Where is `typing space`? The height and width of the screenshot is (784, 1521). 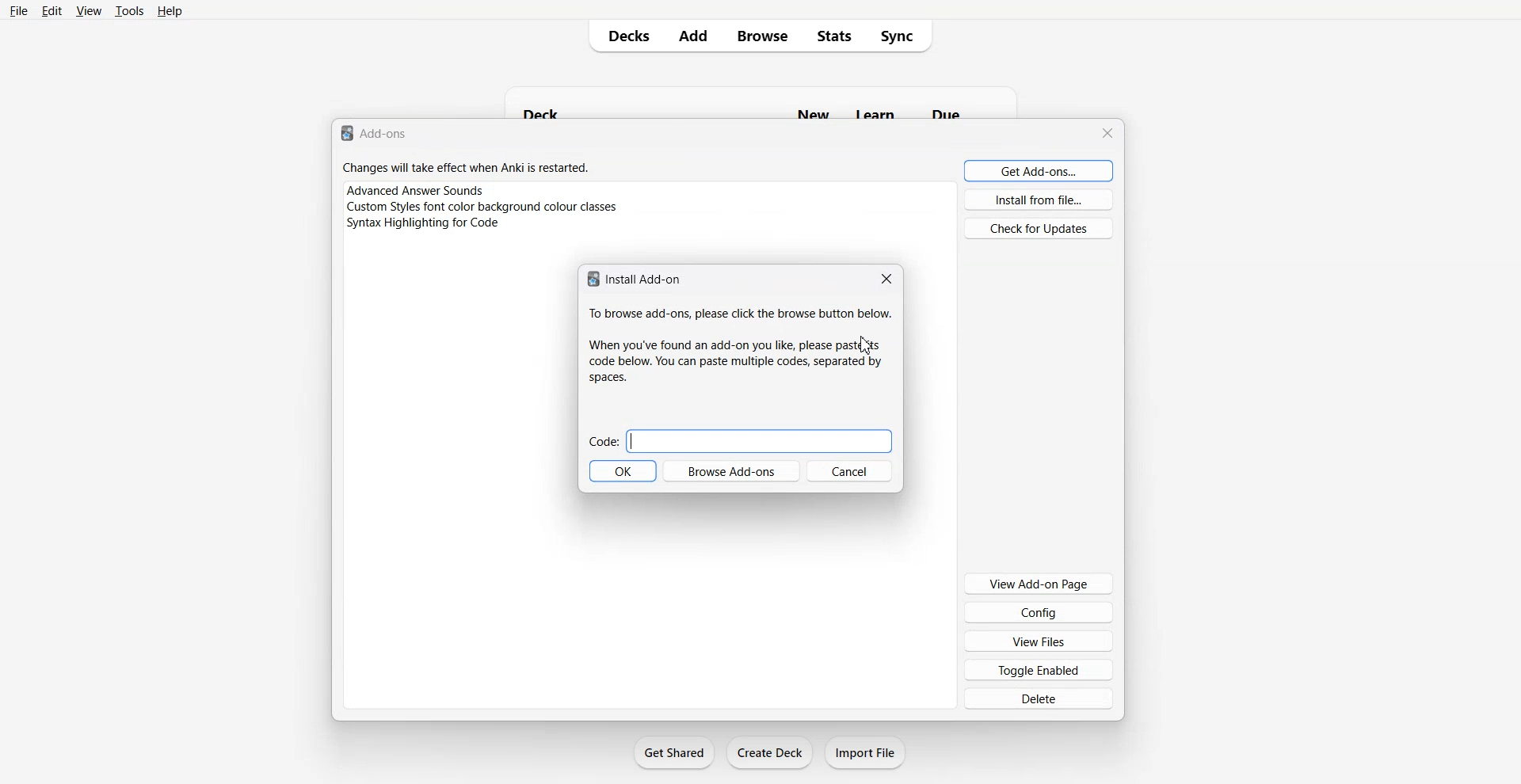
typing space is located at coordinates (760, 441).